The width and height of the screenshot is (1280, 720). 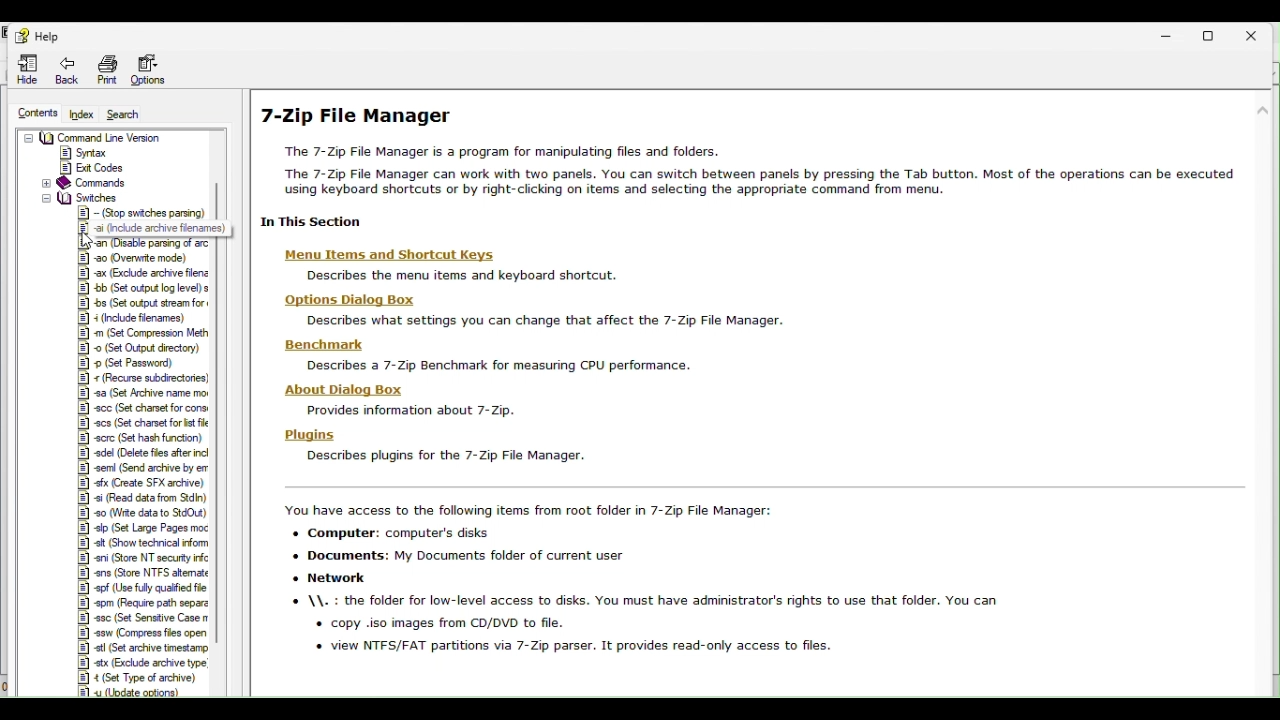 I want to click on Set output log level) s, so click(x=146, y=287).